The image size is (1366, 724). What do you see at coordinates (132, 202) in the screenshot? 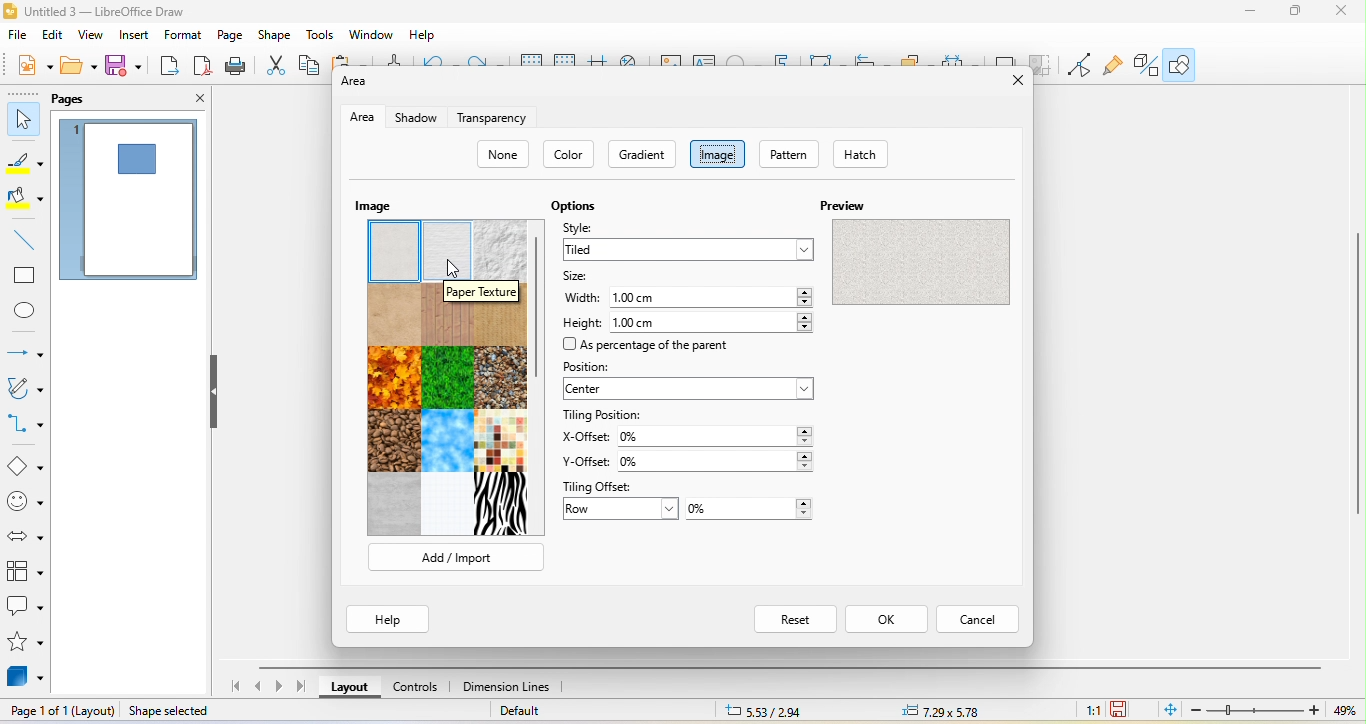
I see `page 1` at bounding box center [132, 202].